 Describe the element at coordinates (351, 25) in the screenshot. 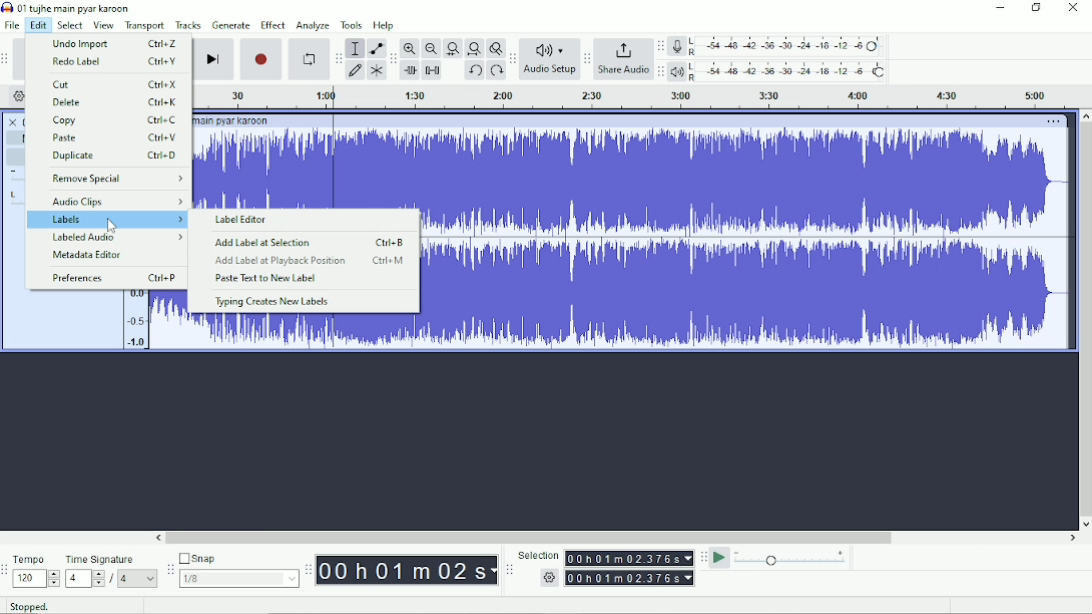

I see `Tools` at that location.